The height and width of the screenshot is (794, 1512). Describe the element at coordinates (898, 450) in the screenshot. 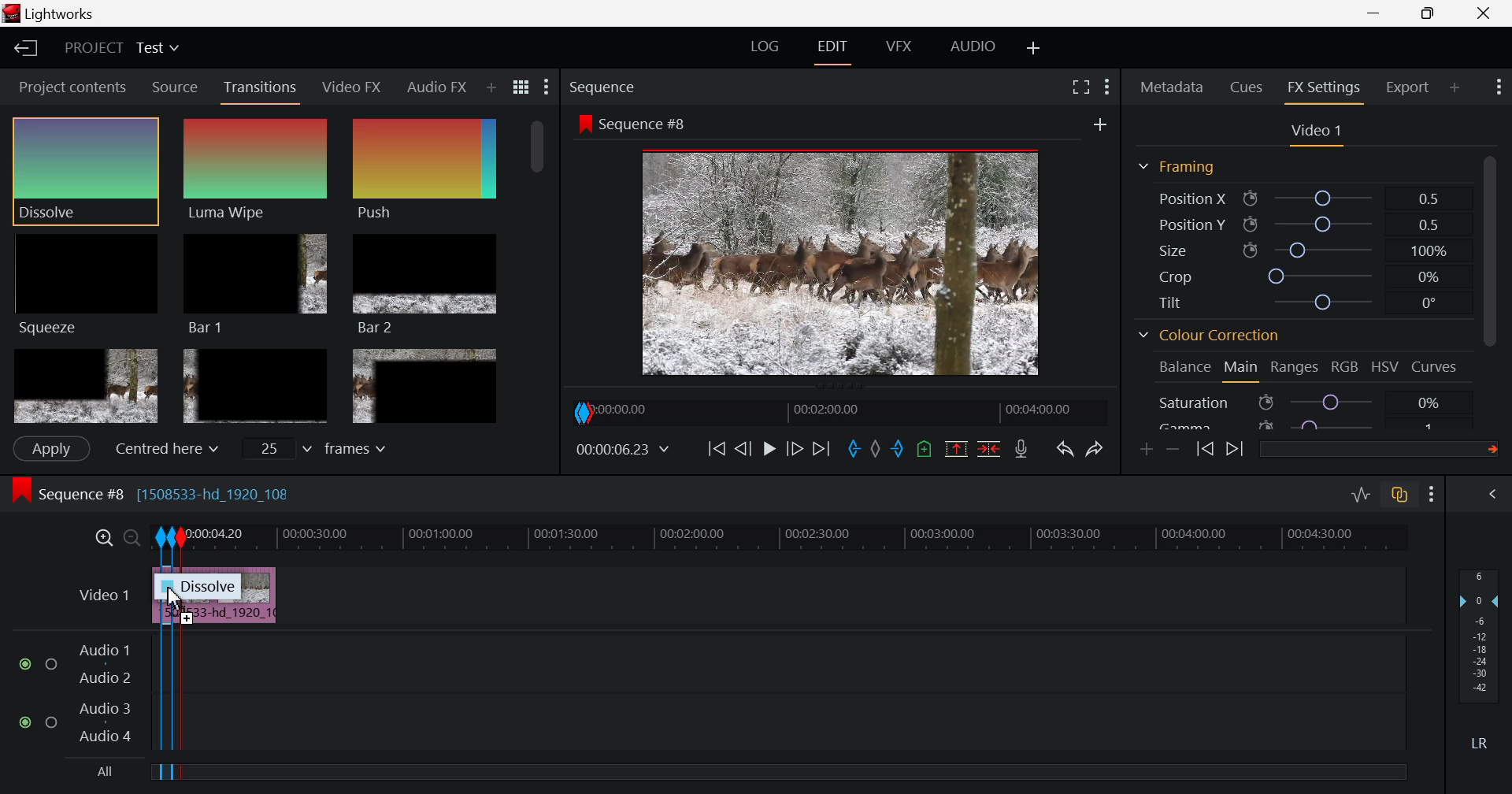

I see `Out mark` at that location.